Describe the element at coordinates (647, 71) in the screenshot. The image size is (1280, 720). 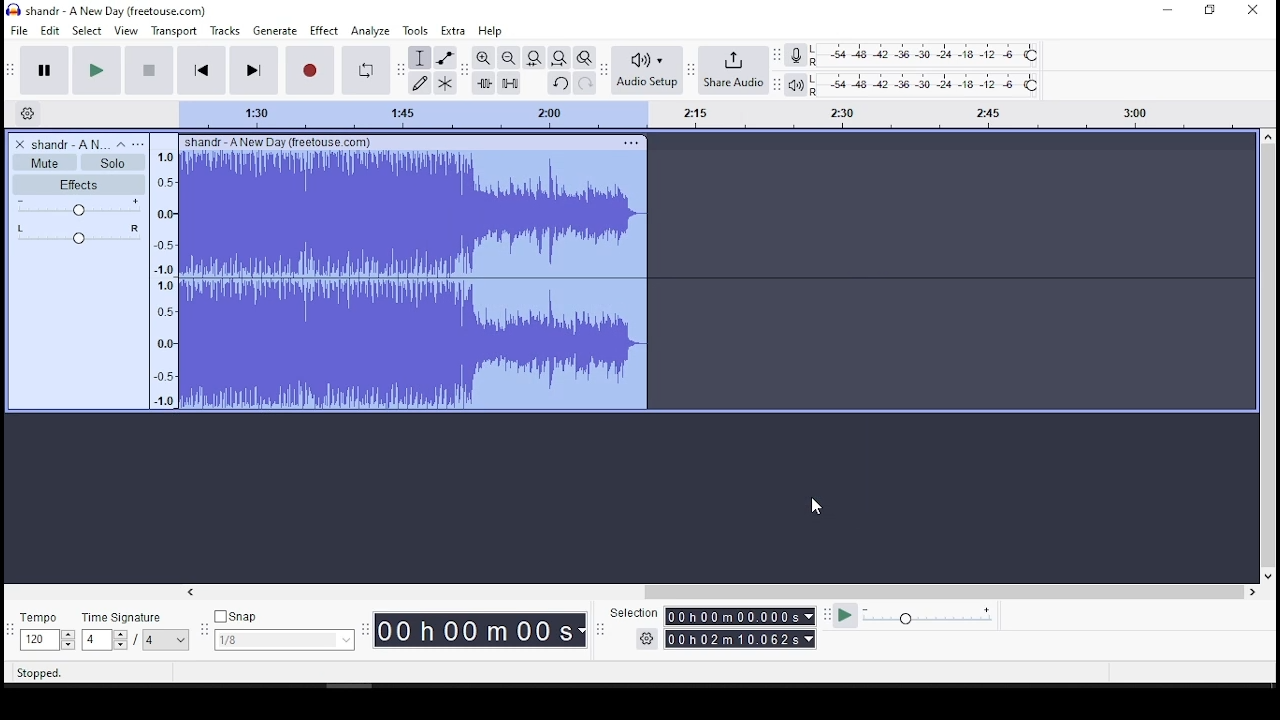
I see `audio setup` at that location.